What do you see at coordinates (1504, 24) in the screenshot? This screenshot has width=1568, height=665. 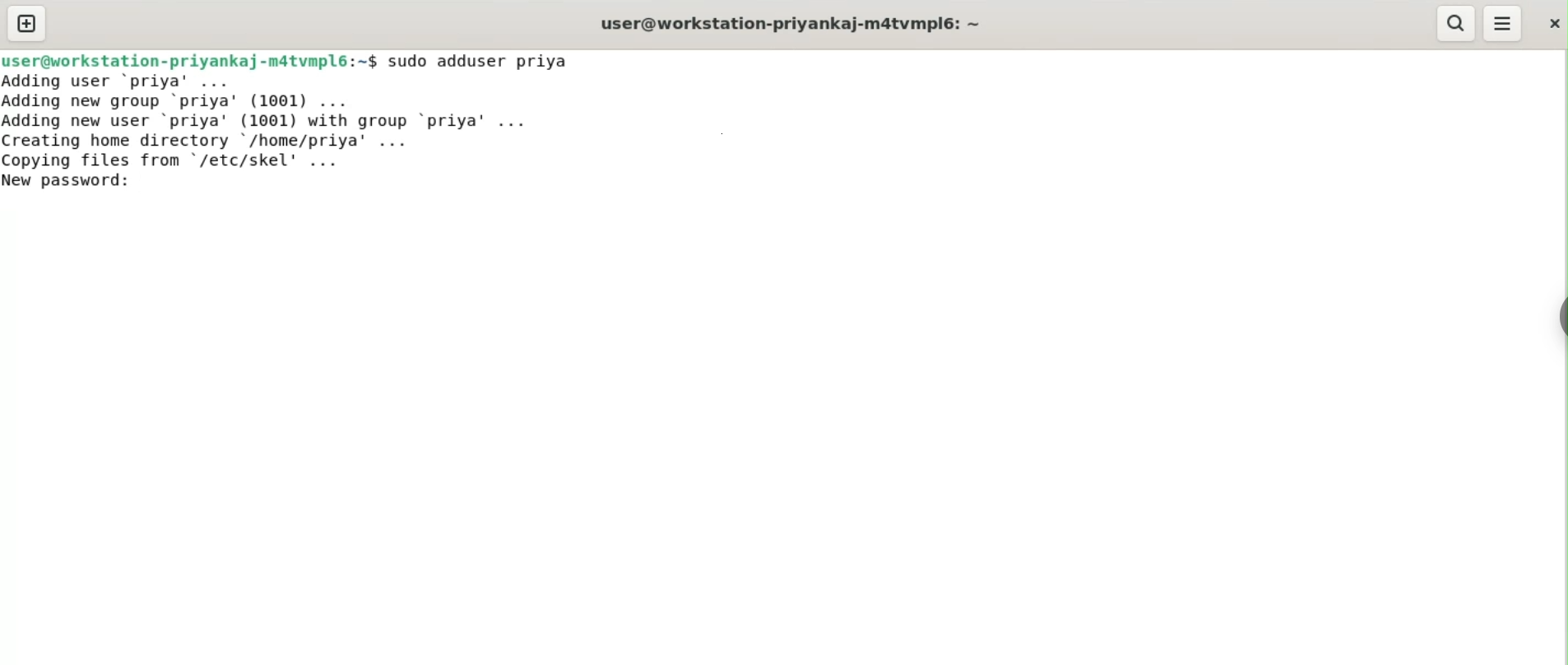 I see `menu` at bounding box center [1504, 24].